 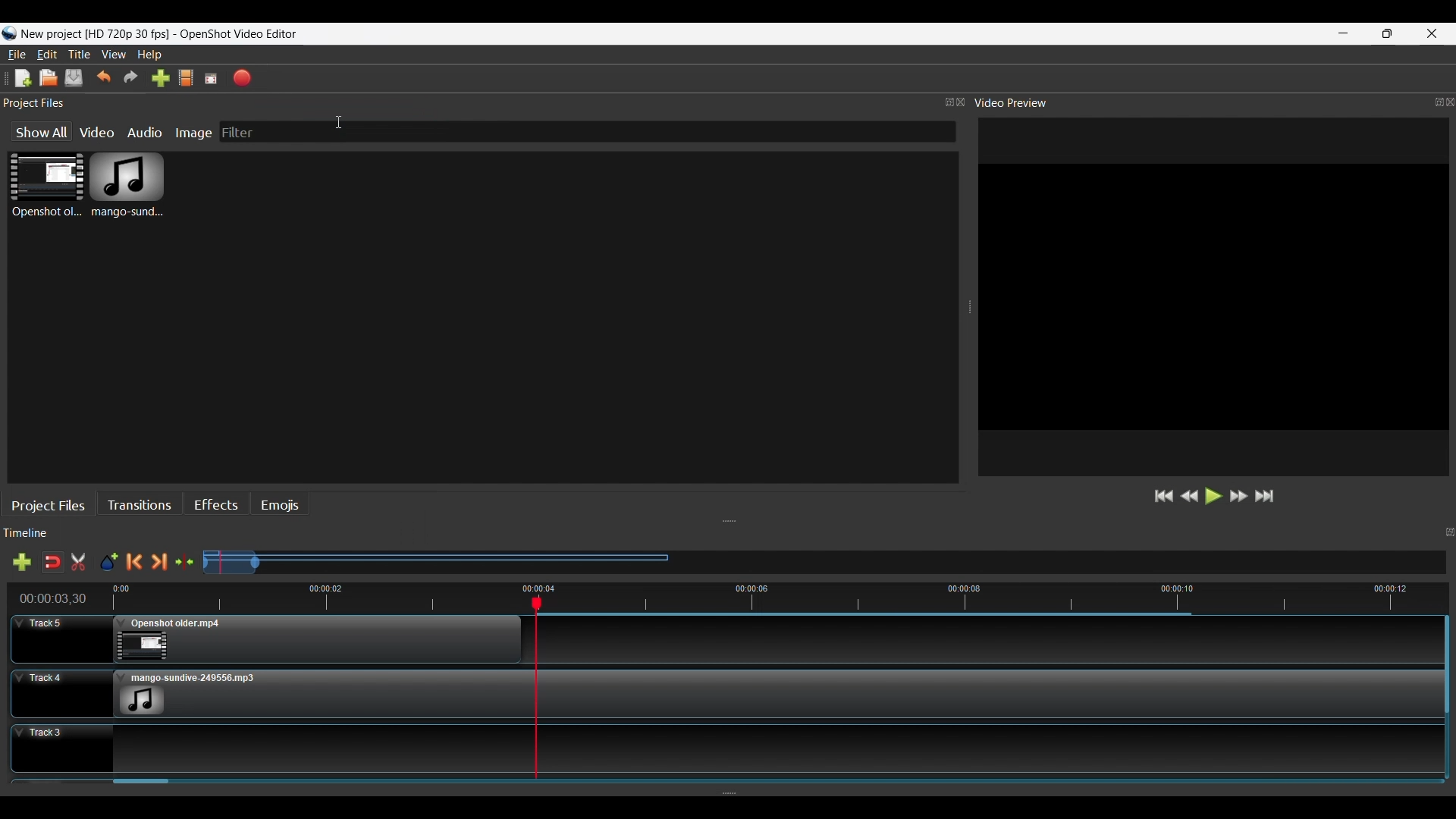 What do you see at coordinates (263, 638) in the screenshot?
I see `Track 5` at bounding box center [263, 638].